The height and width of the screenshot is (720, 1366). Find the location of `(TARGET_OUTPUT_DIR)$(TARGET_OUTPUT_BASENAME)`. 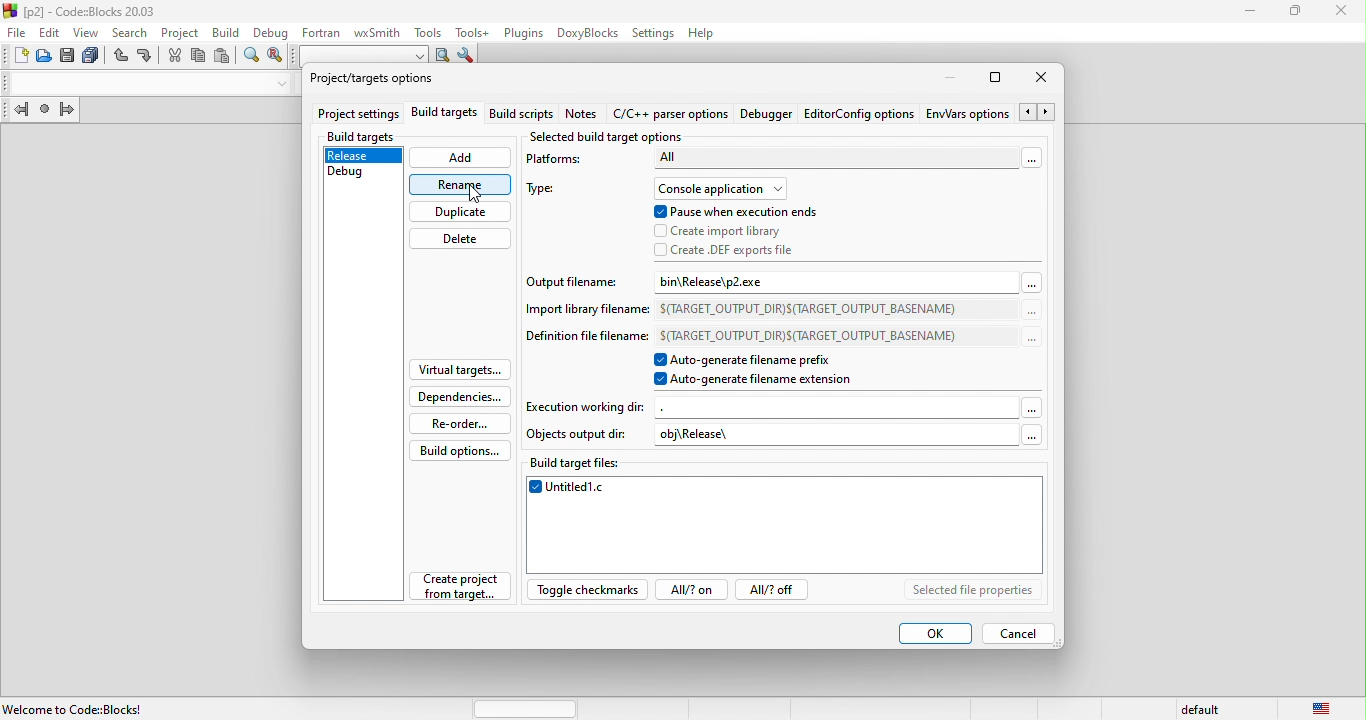

(TARGET_OUTPUT_DIR)$(TARGET_OUTPUT_BASENAME) is located at coordinates (811, 308).